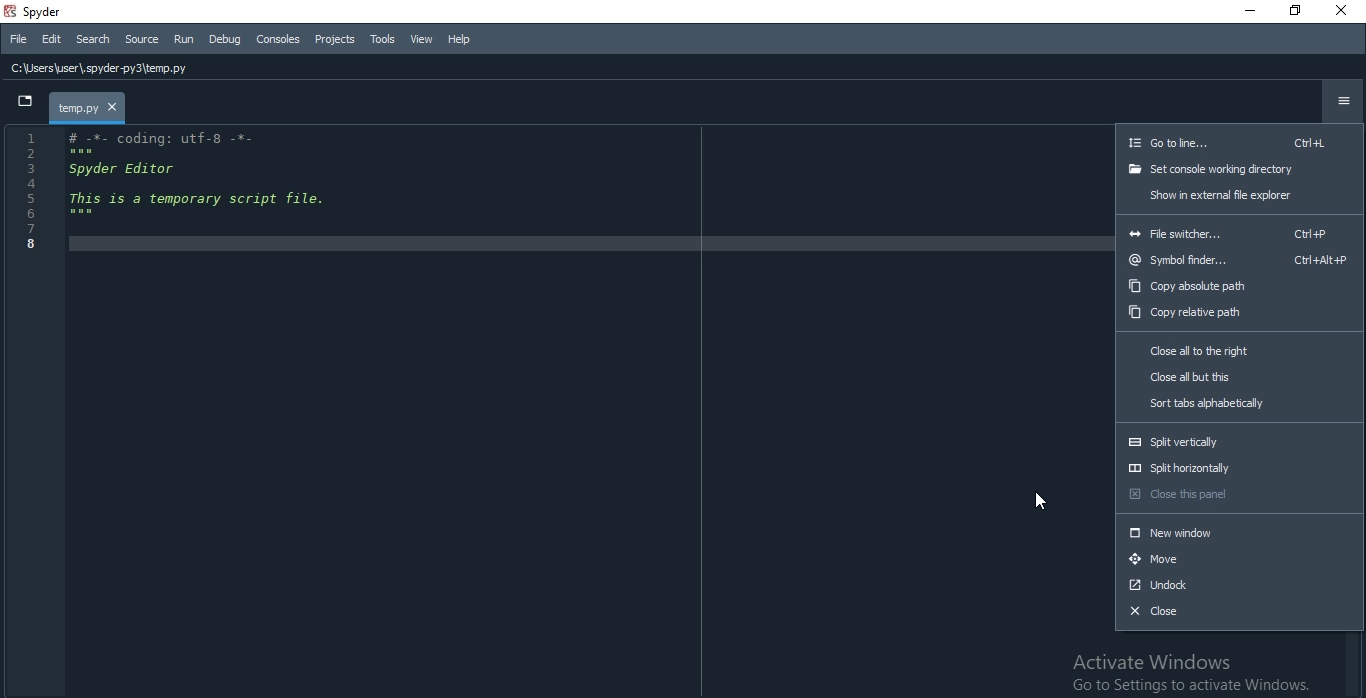  Describe the element at coordinates (1243, 285) in the screenshot. I see `copy absolute path` at that location.